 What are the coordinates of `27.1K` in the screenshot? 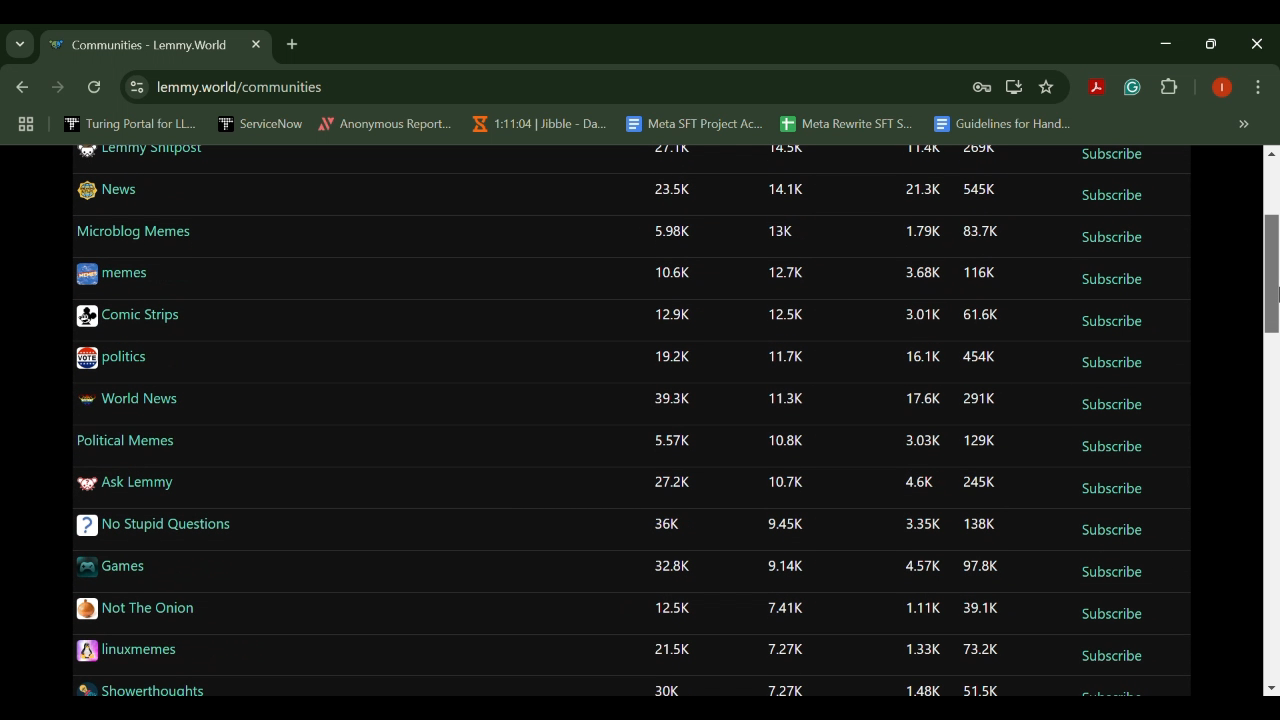 It's located at (674, 151).